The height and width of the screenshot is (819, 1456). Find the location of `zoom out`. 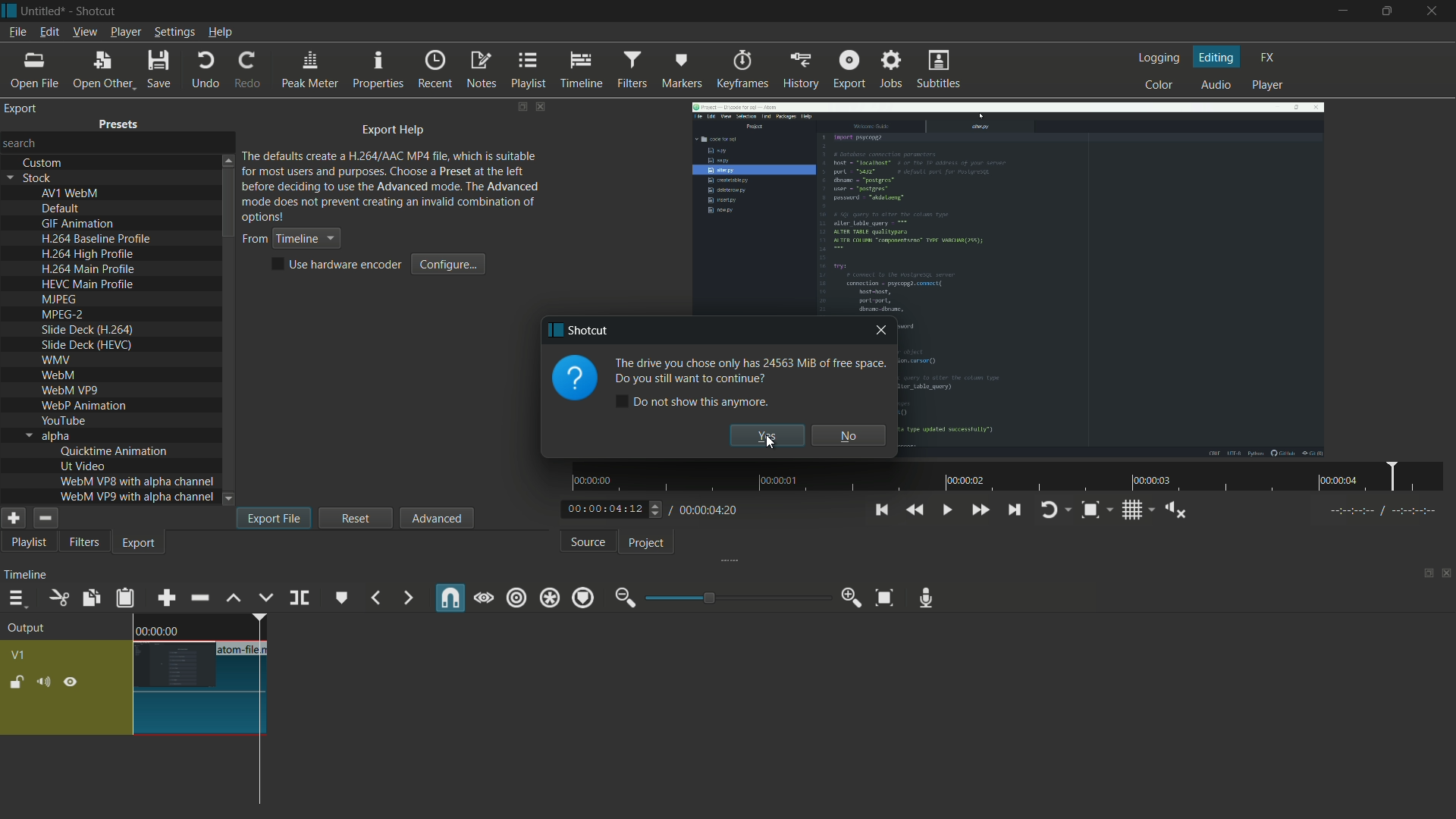

zoom out is located at coordinates (623, 598).